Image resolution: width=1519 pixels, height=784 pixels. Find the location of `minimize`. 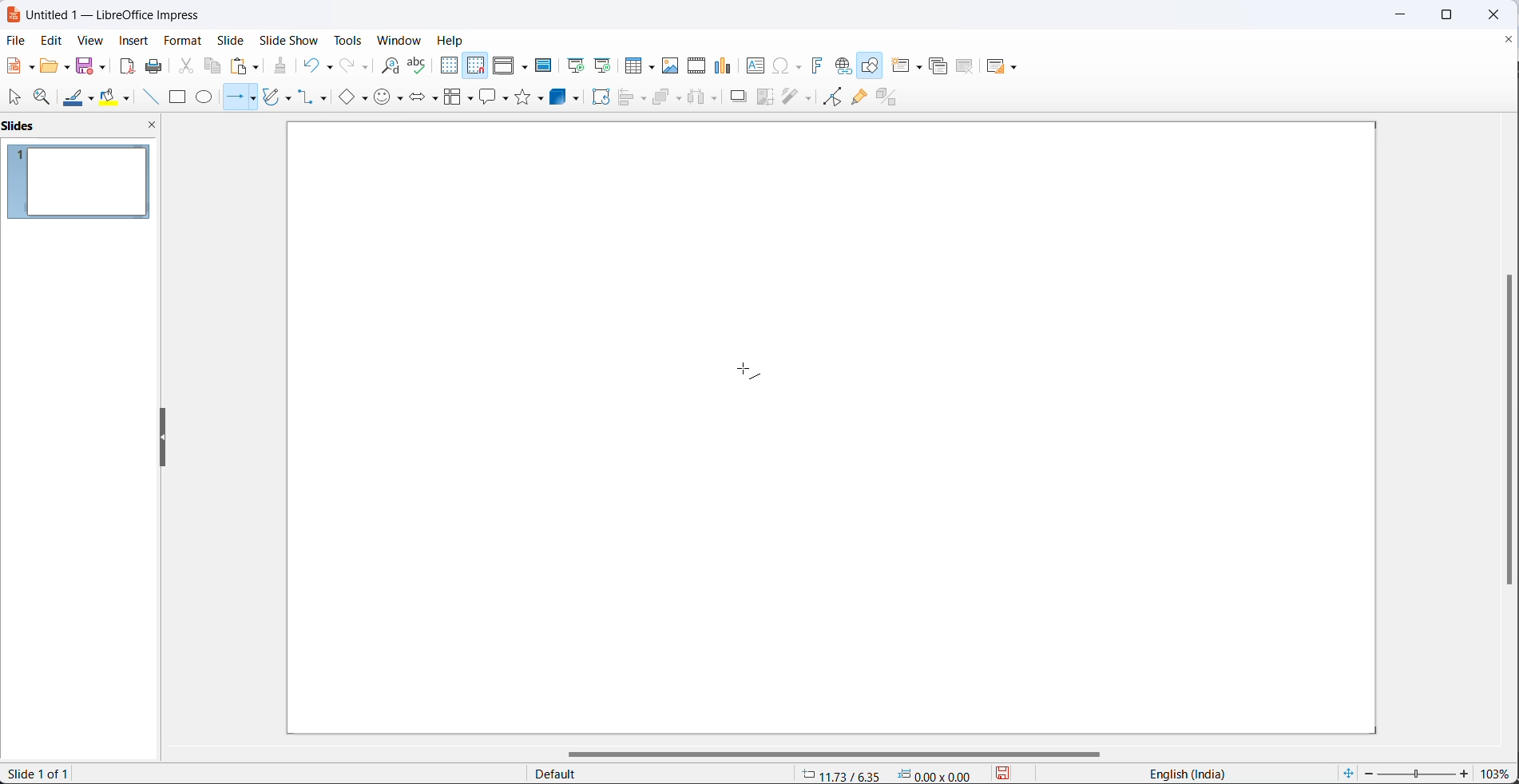

minimize is located at coordinates (1400, 14).